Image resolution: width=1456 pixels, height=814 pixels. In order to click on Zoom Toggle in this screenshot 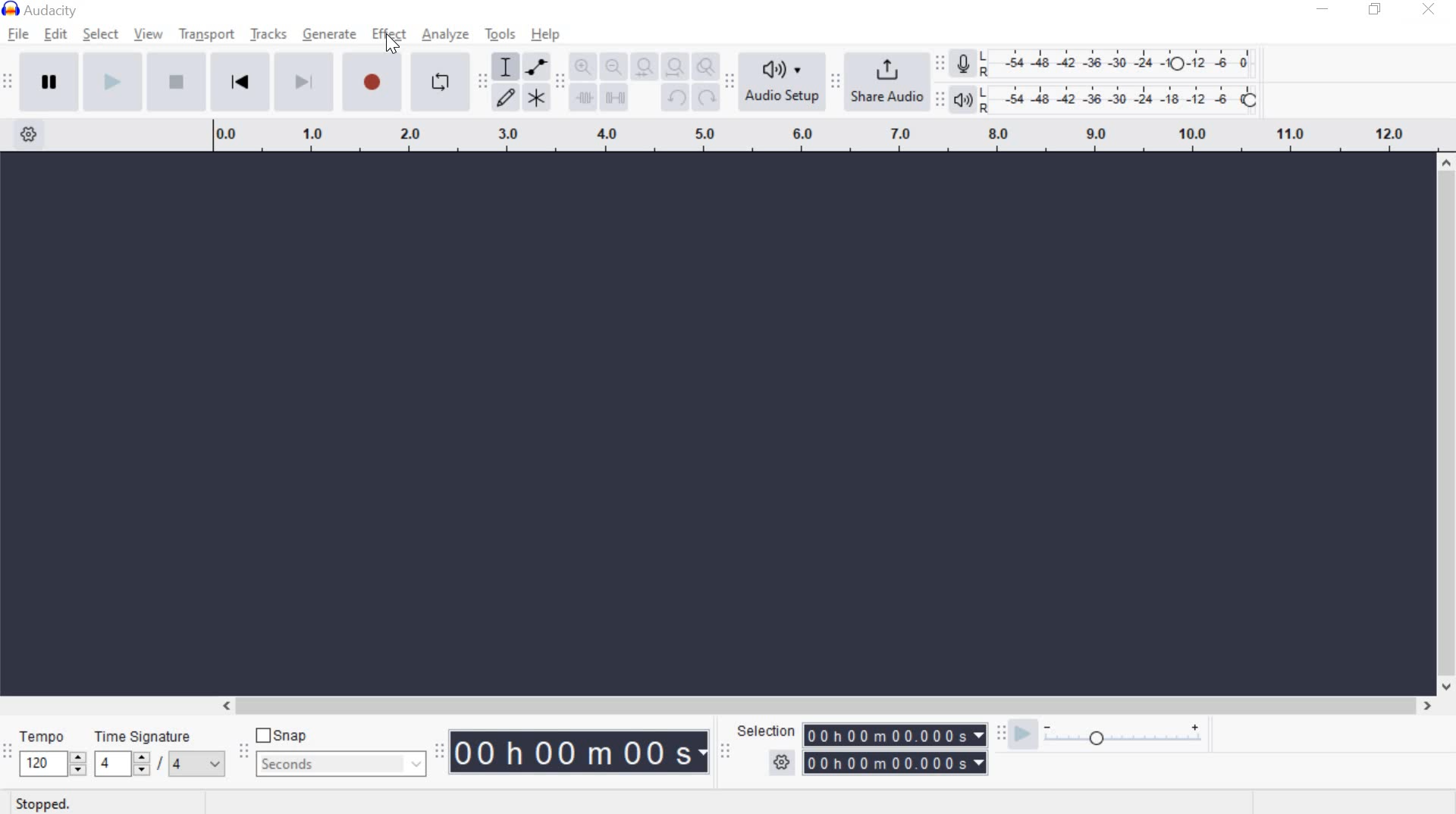, I will do `click(704, 67)`.